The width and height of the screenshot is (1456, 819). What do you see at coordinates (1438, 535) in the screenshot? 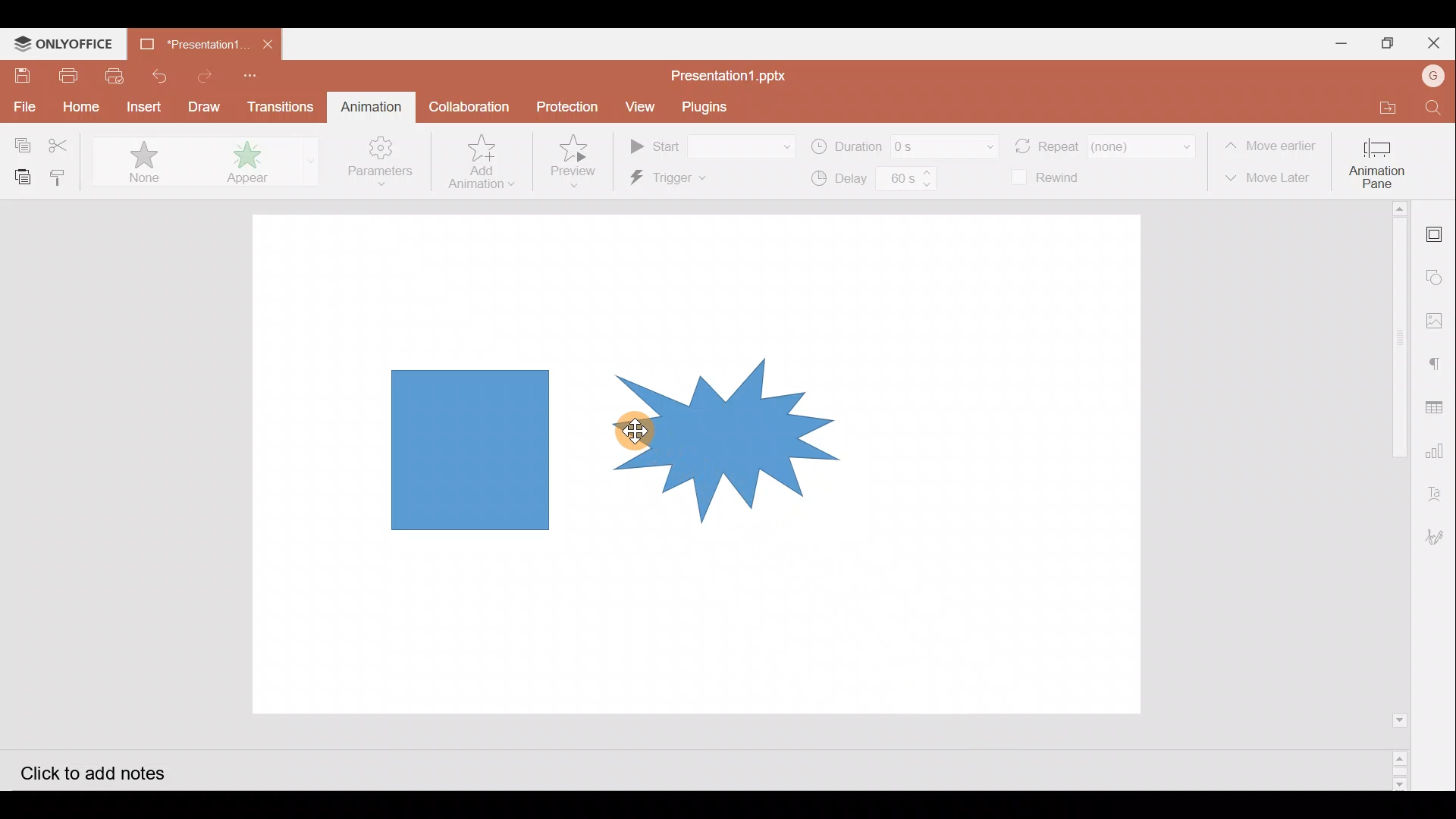
I see `Signature settings` at bounding box center [1438, 535].